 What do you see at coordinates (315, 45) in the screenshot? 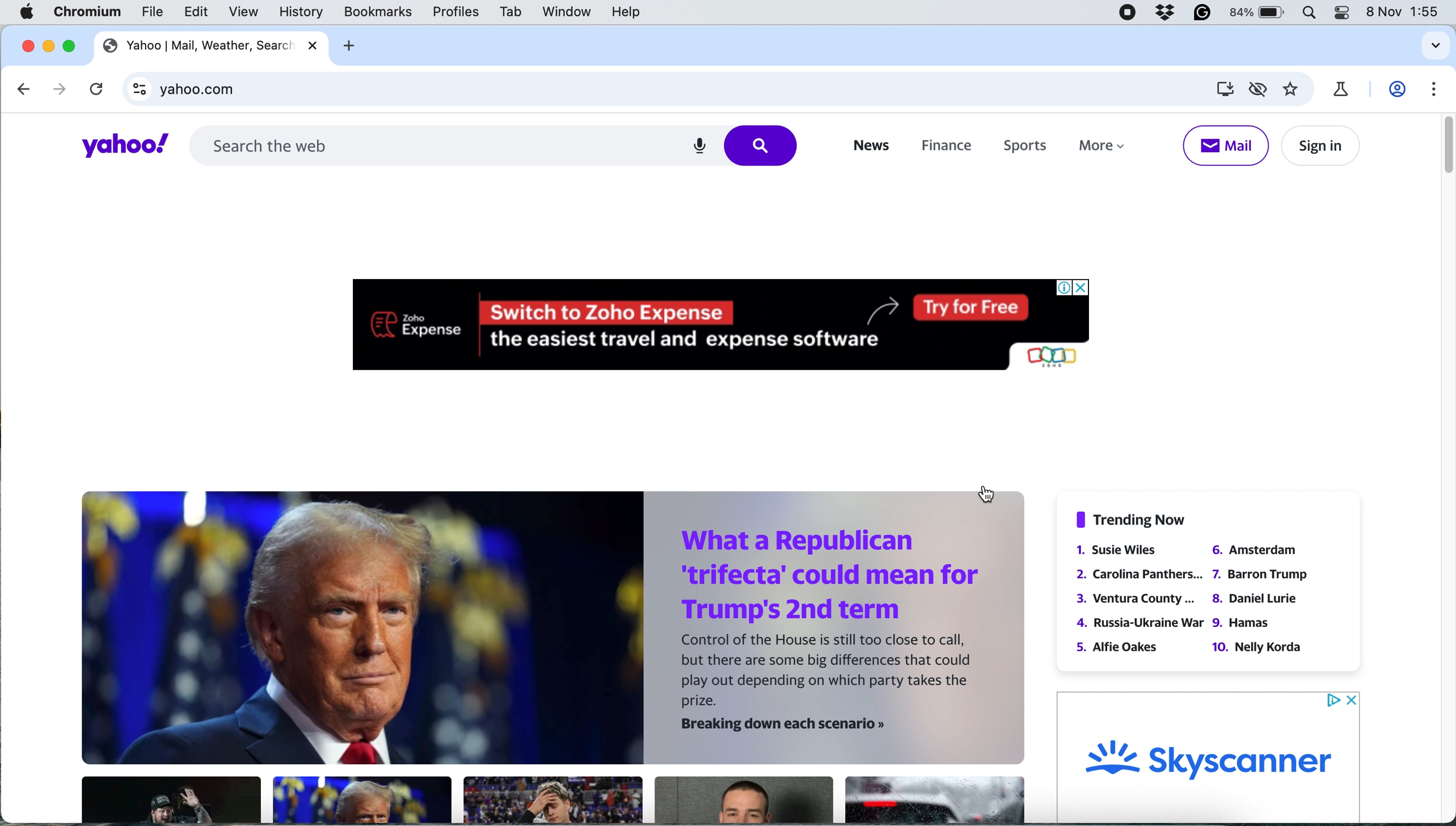
I see `close` at bounding box center [315, 45].